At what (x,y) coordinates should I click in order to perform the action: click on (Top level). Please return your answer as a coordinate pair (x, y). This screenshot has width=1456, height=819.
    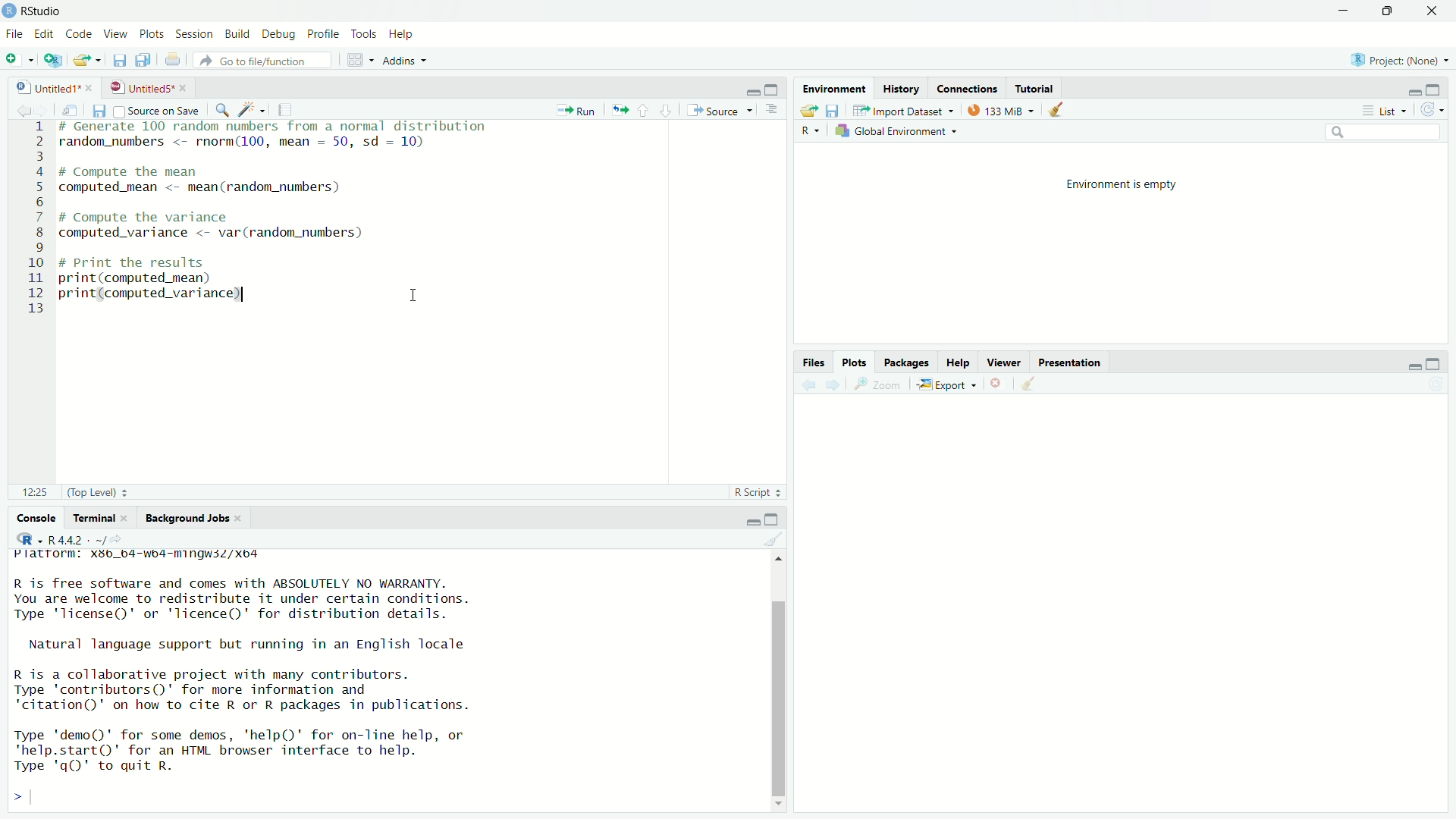
    Looking at the image, I should click on (102, 493).